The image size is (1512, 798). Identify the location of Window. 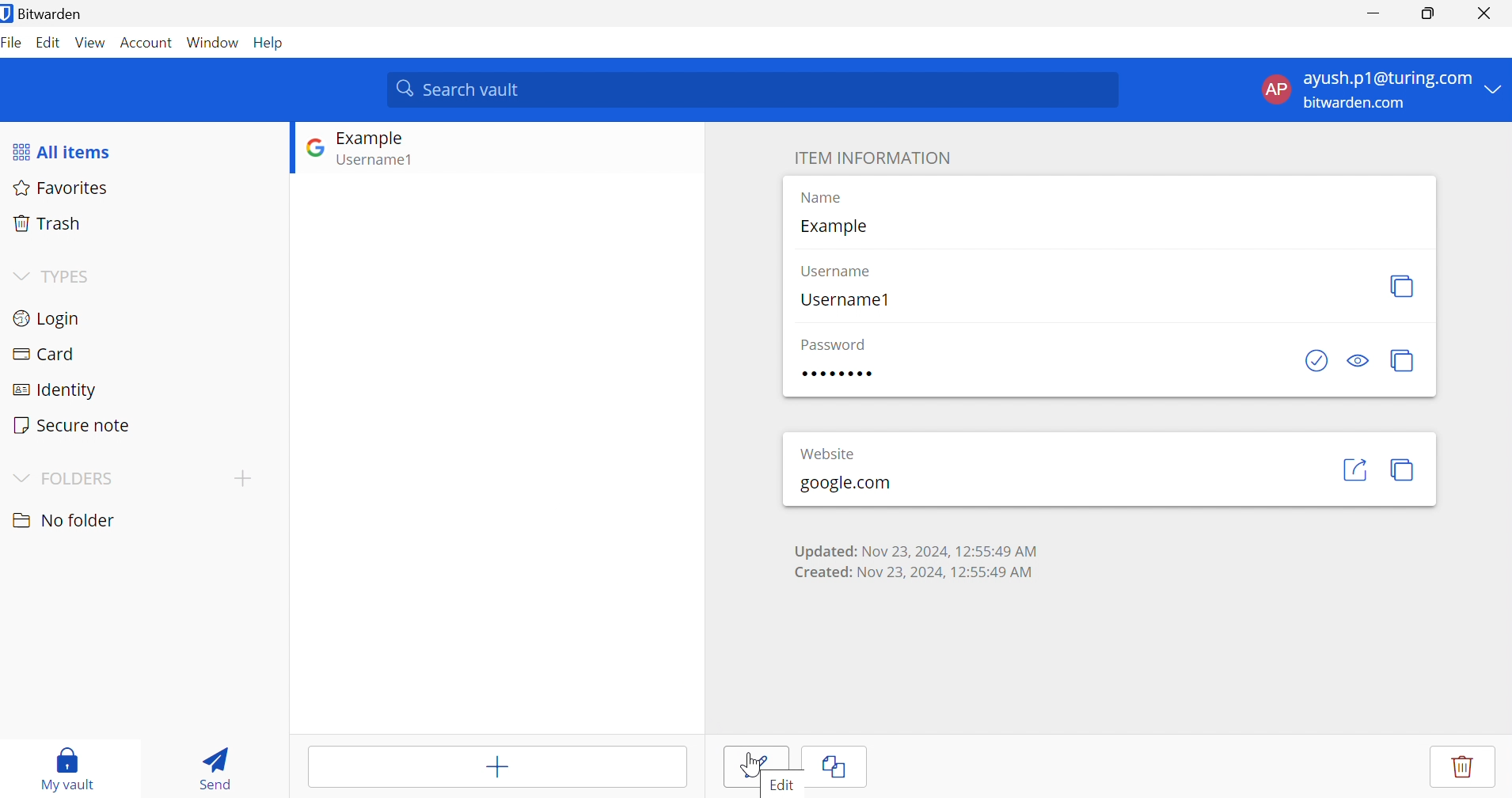
(213, 42).